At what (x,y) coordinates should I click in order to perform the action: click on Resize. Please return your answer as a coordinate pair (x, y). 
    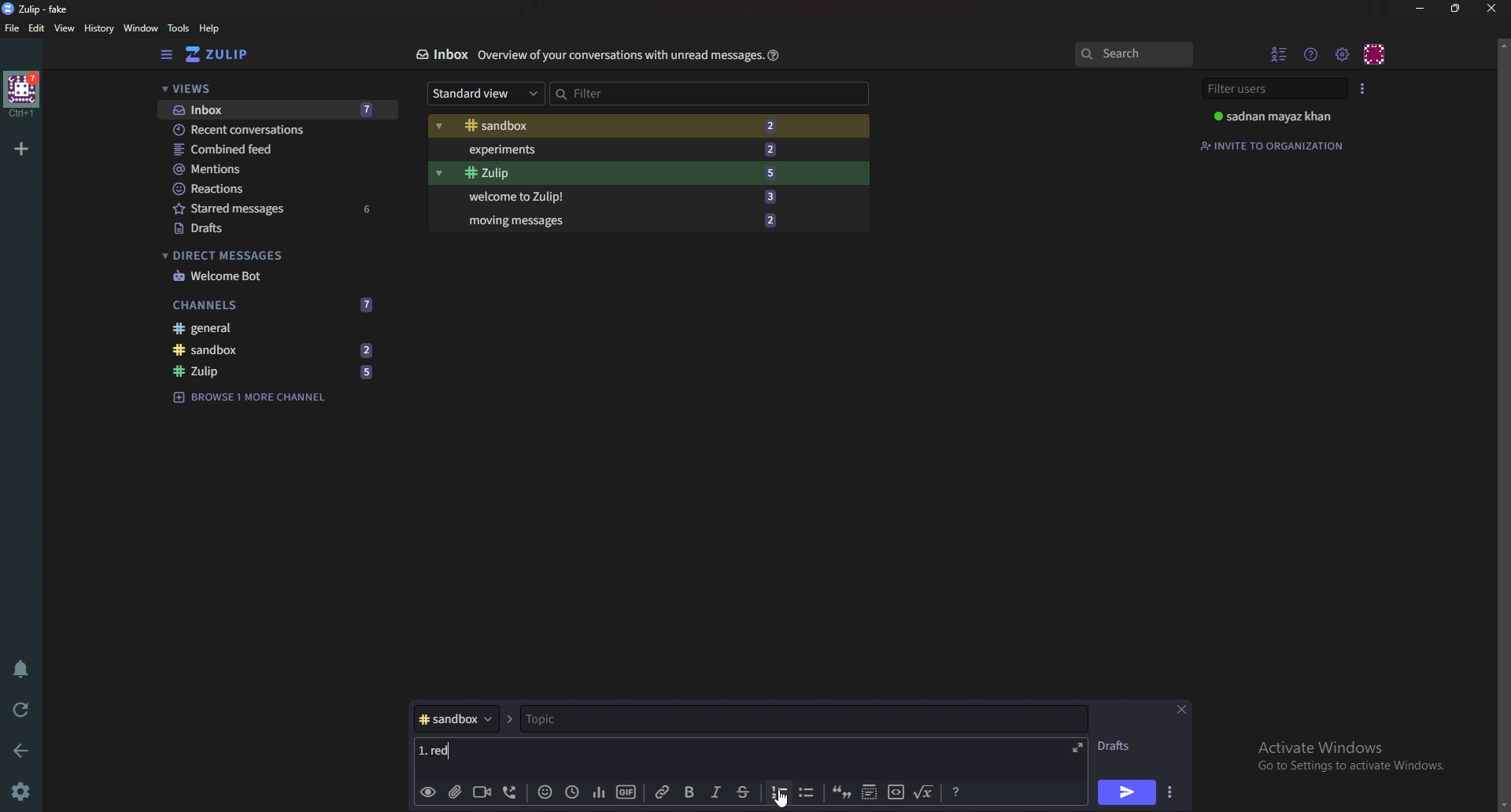
    Looking at the image, I should click on (1456, 9).